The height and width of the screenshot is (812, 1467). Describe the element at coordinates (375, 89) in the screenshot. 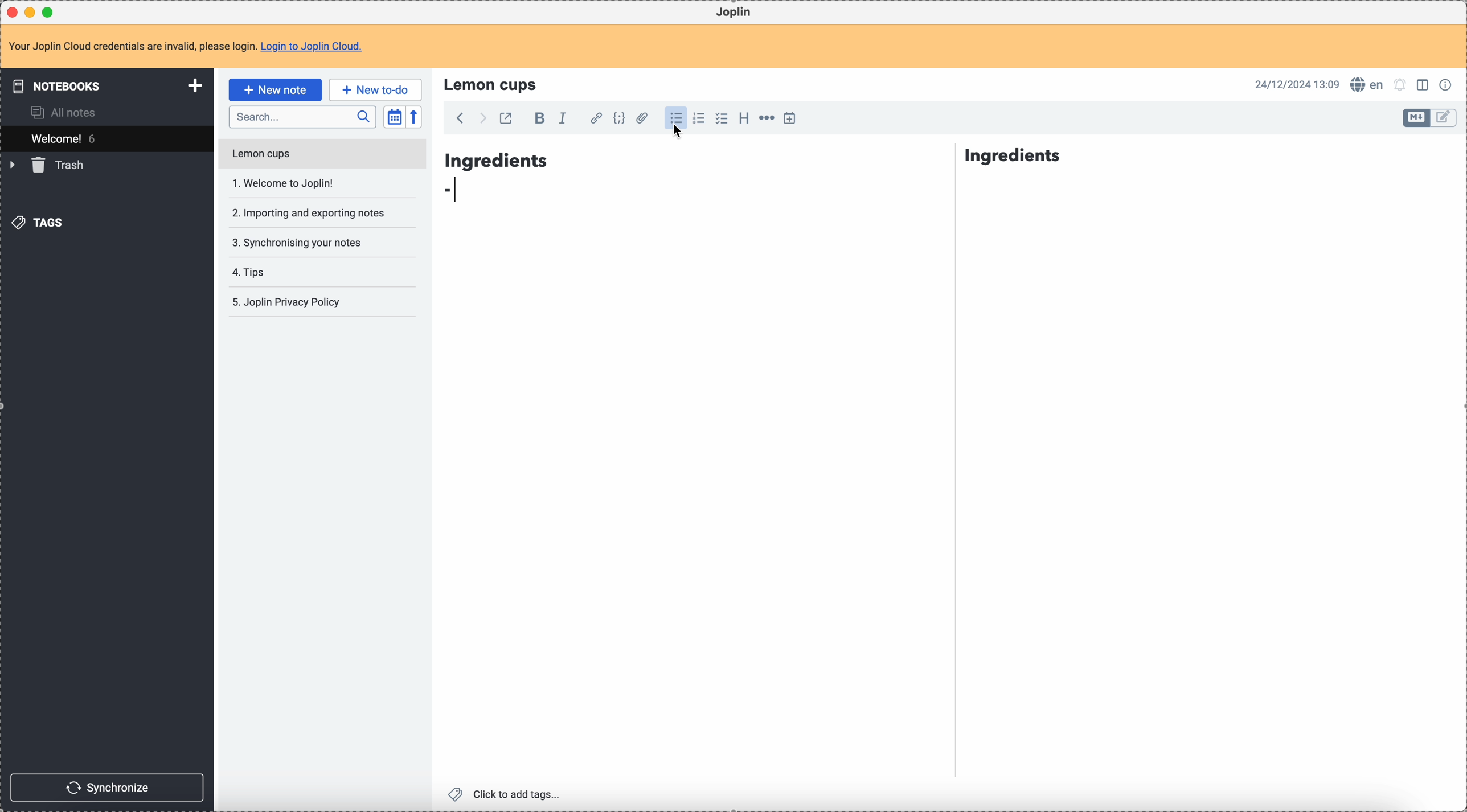

I see `new to-do` at that location.